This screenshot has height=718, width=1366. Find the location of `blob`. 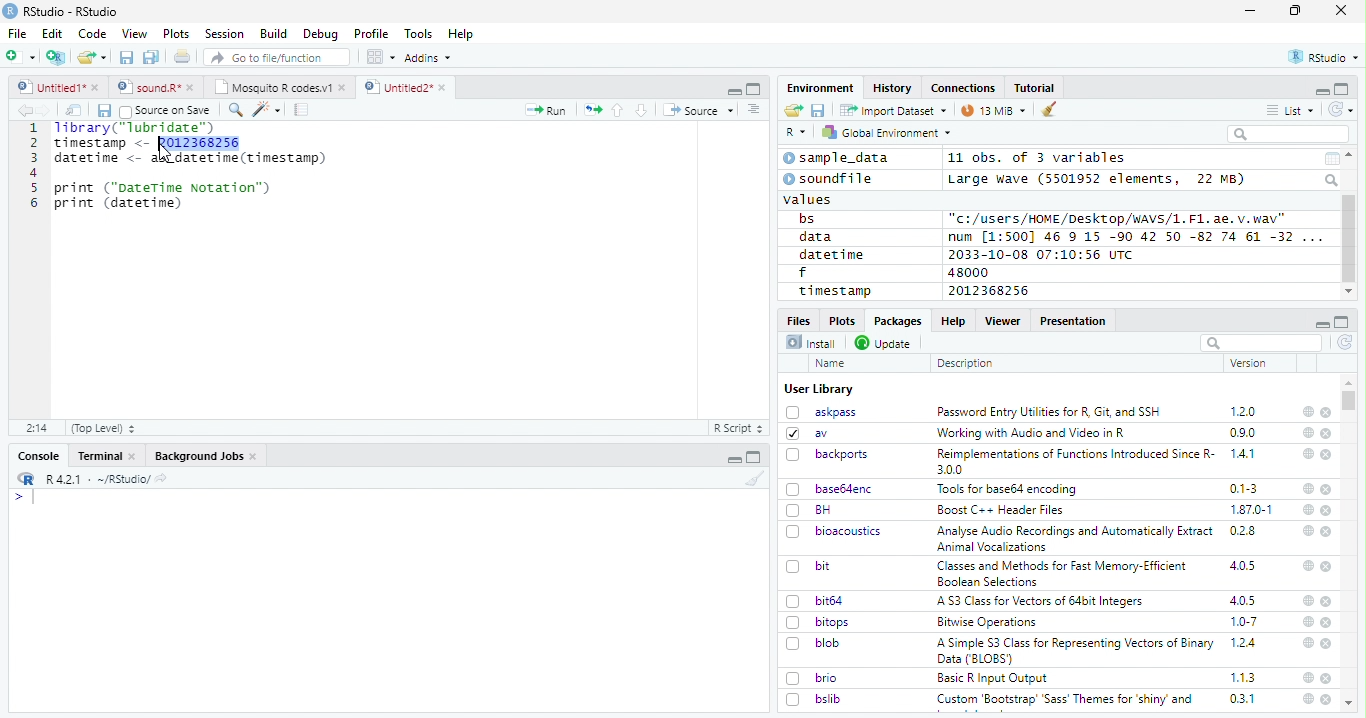

blob is located at coordinates (813, 643).